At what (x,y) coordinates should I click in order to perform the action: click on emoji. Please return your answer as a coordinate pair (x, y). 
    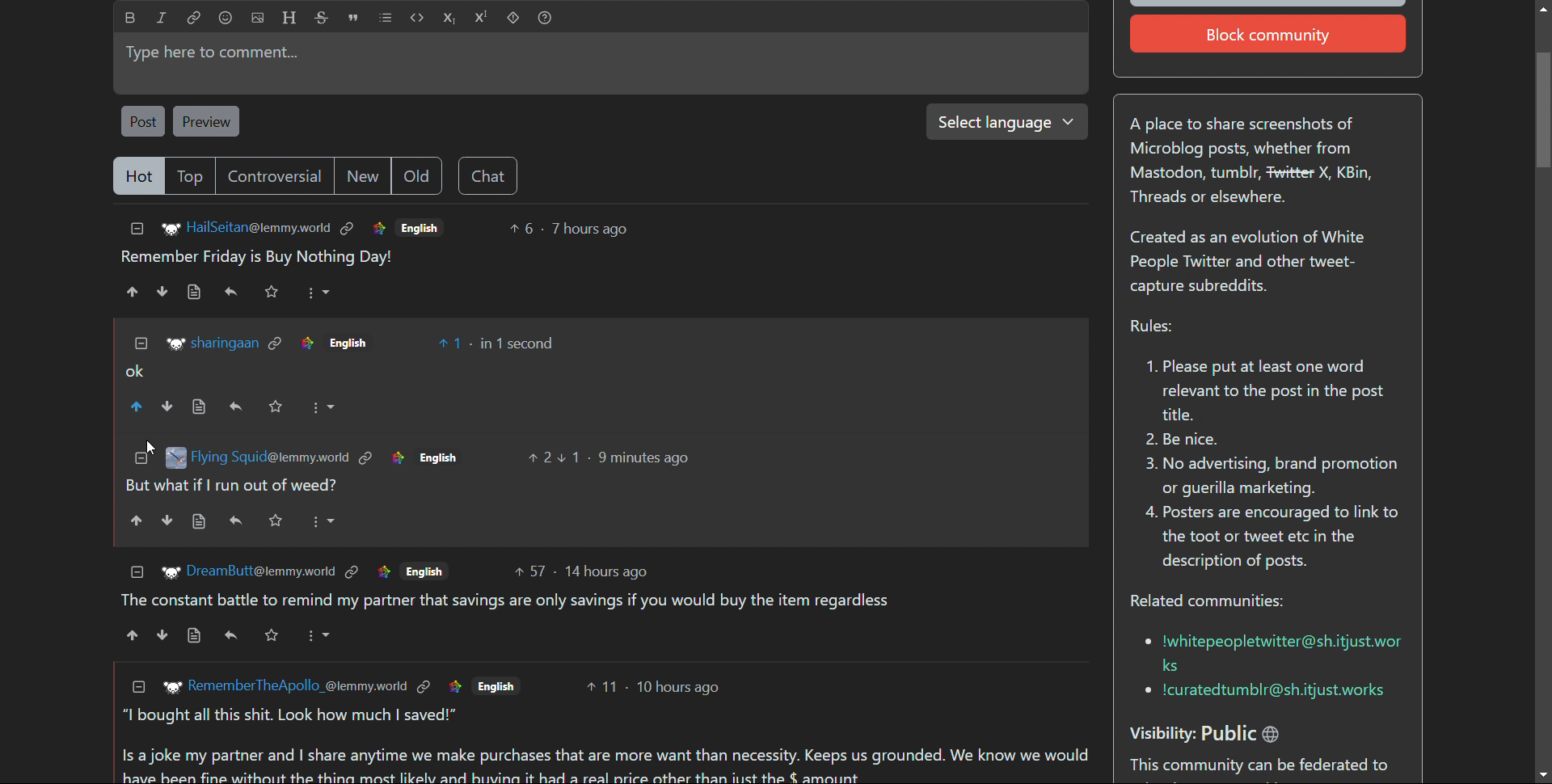
    Looking at the image, I should click on (225, 18).